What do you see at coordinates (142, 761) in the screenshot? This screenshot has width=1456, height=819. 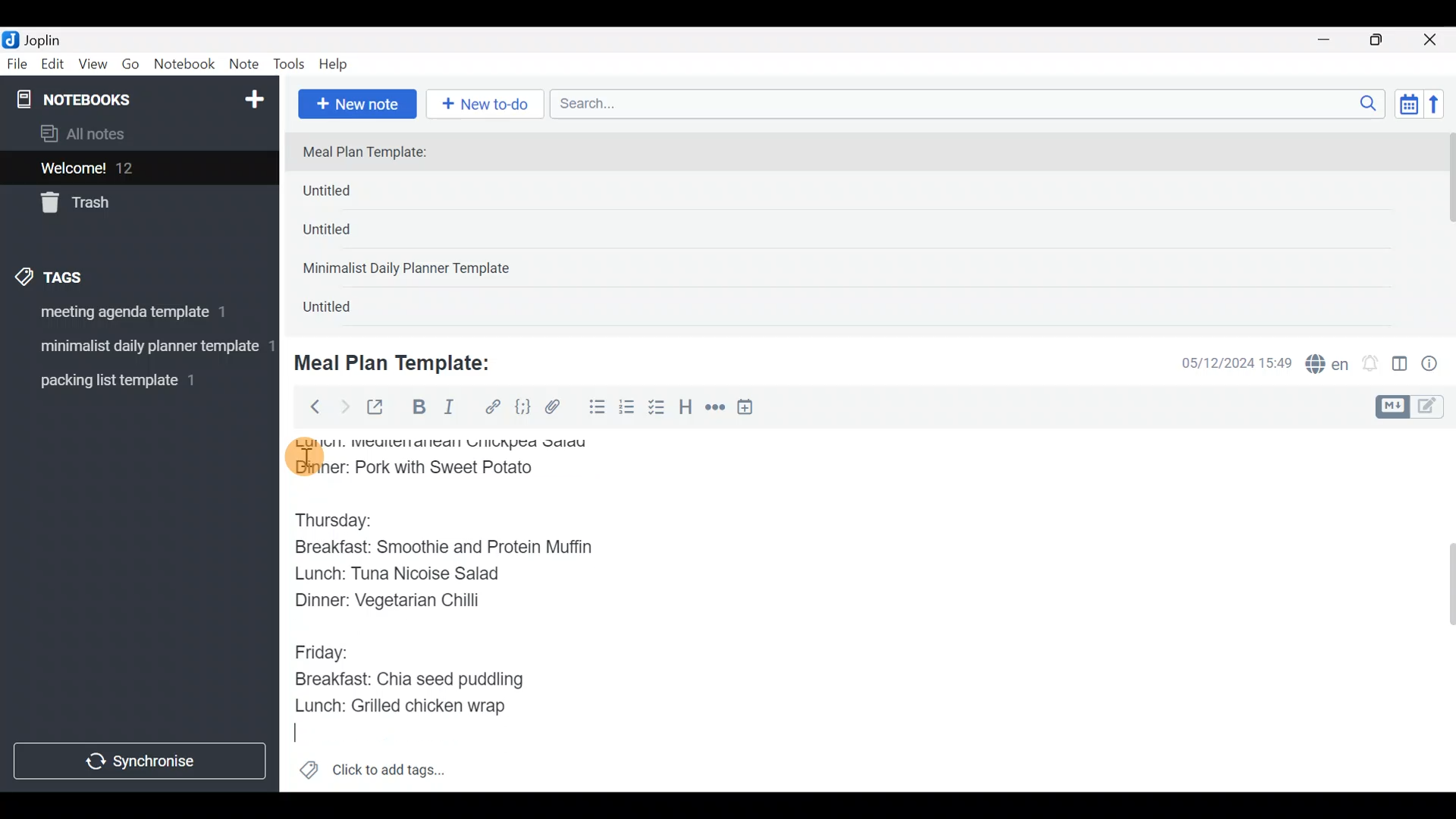 I see `Synchronize` at bounding box center [142, 761].